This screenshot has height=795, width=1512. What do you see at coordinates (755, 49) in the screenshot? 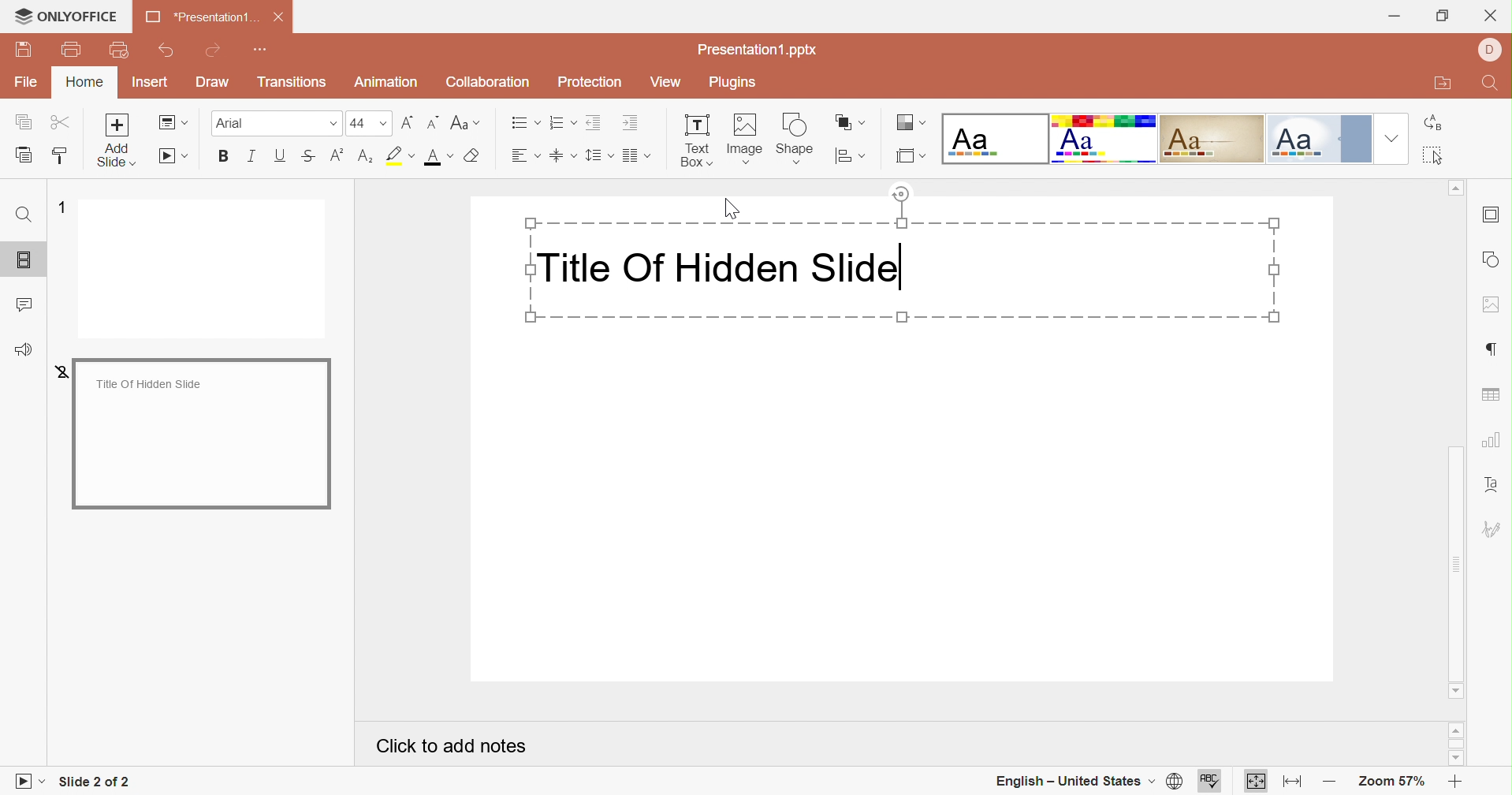
I see `Presentation1.pptx` at bounding box center [755, 49].